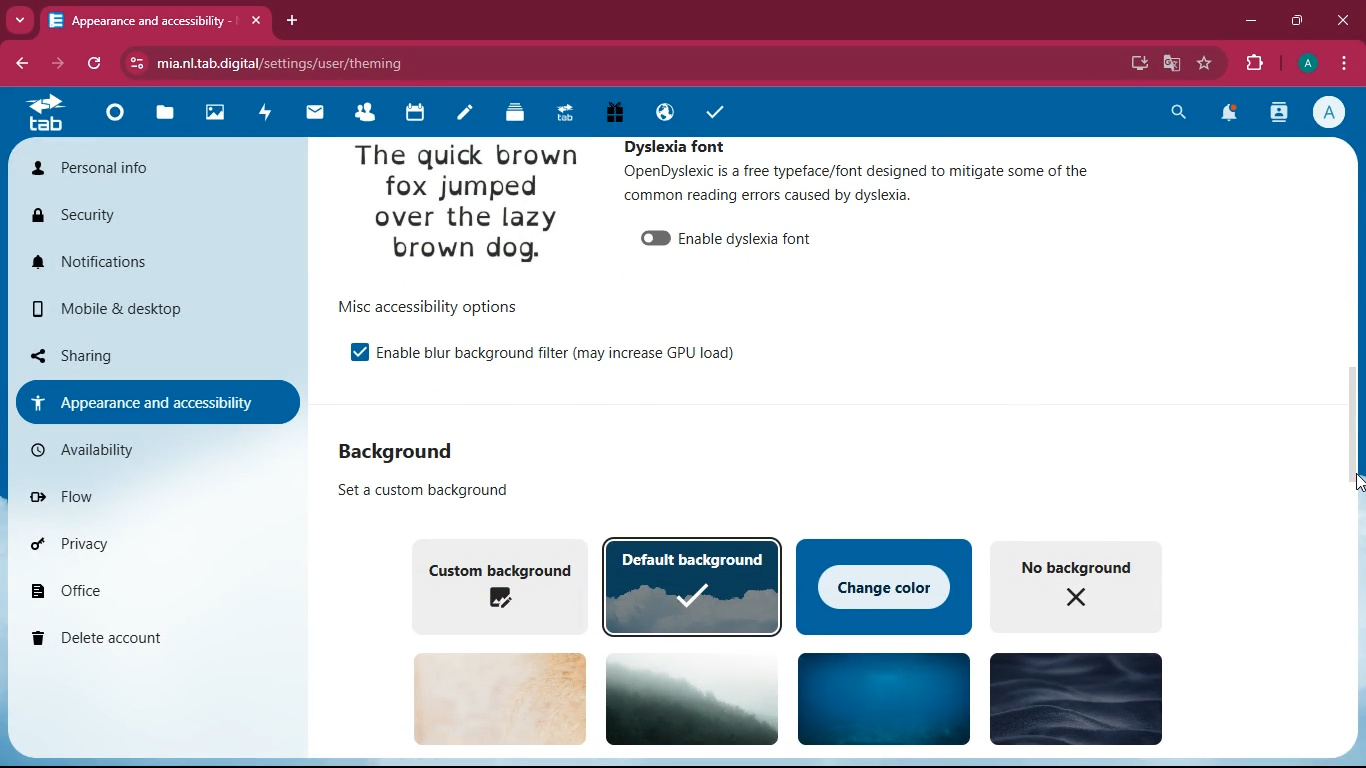 The image size is (1366, 768). I want to click on tab, so click(48, 116).